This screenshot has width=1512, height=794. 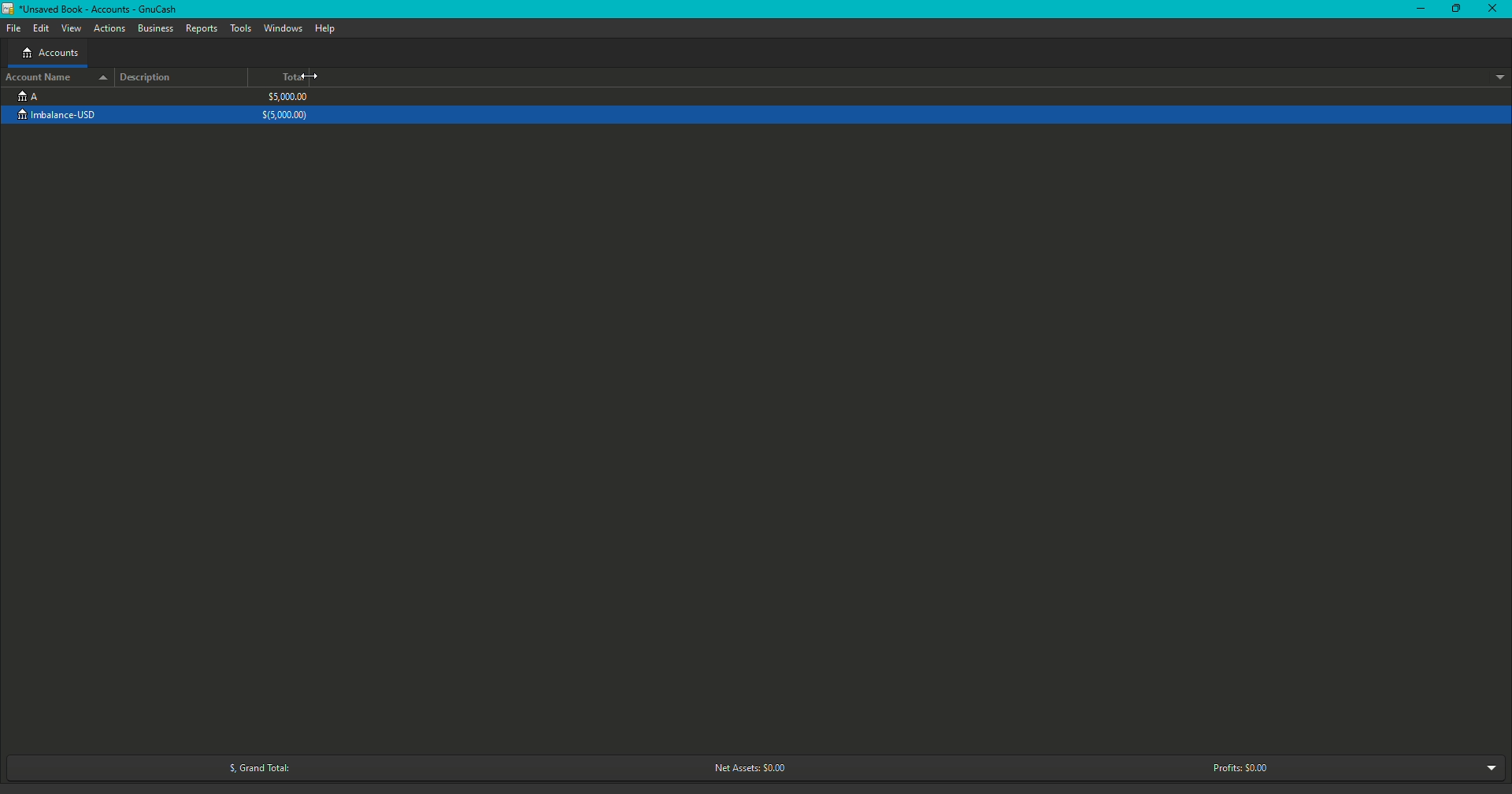 What do you see at coordinates (110, 29) in the screenshot?
I see `Actions` at bounding box center [110, 29].